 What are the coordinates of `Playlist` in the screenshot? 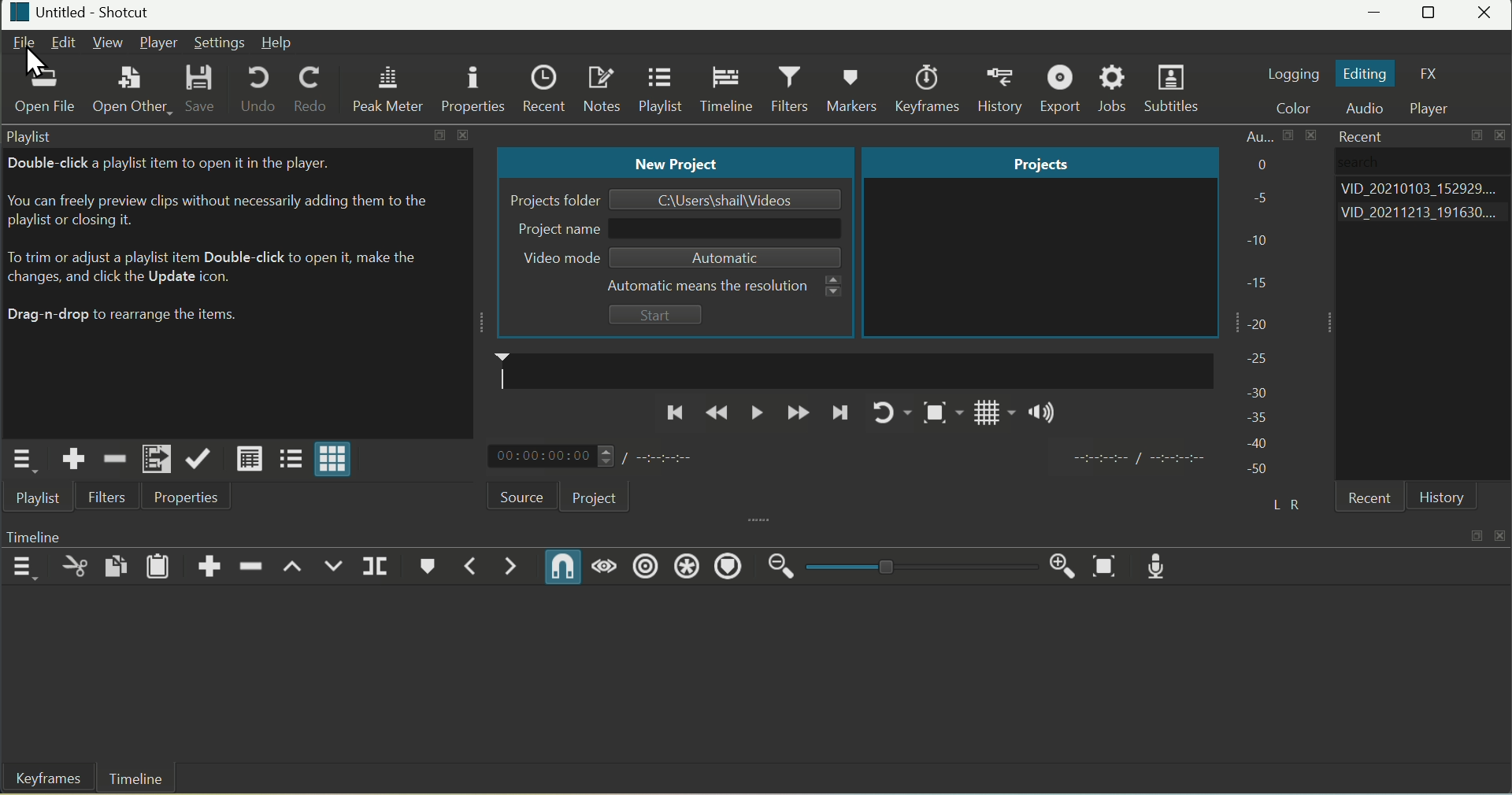 It's located at (41, 499).